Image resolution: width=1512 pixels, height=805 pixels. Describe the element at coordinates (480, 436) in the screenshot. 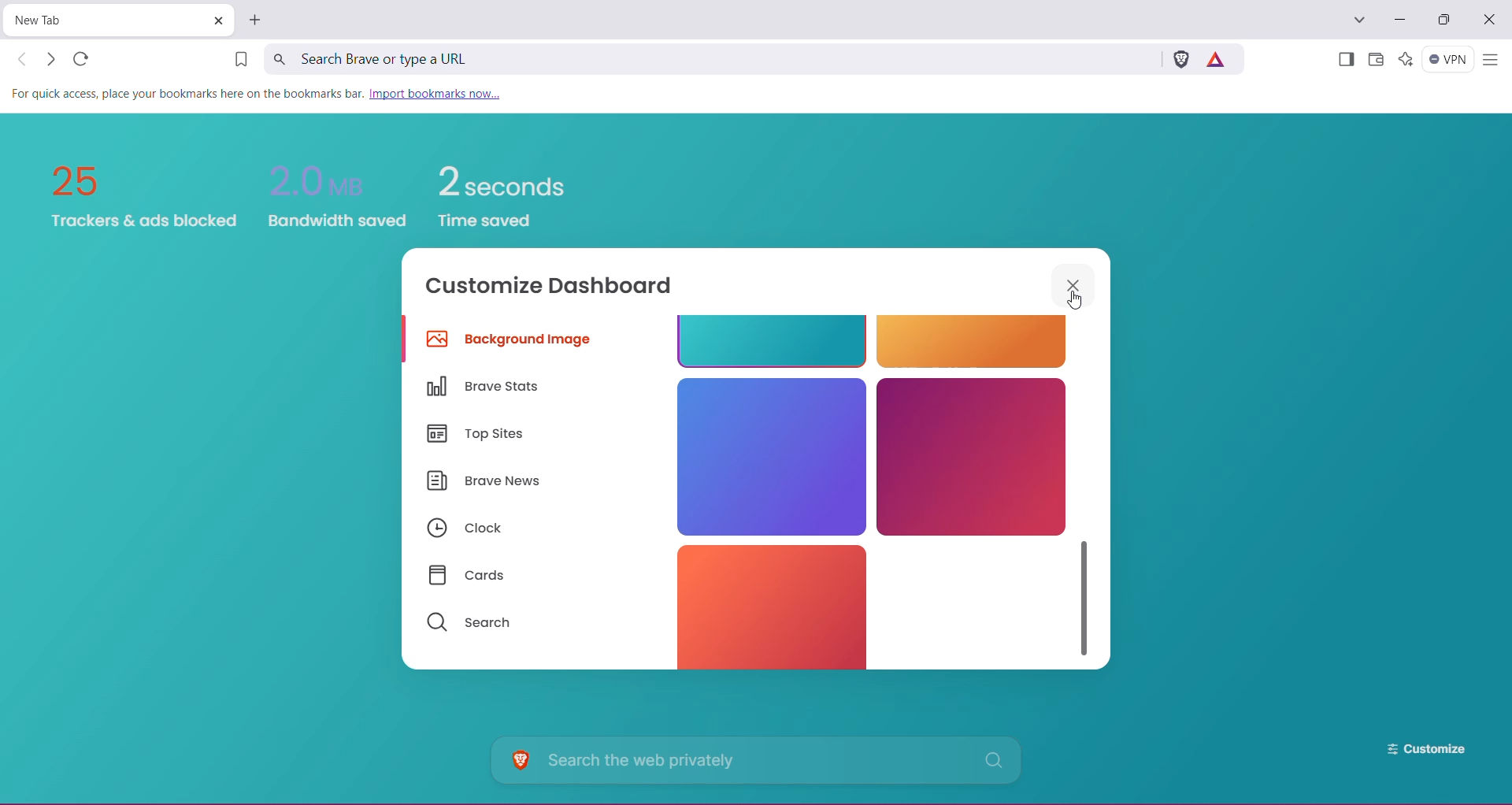

I see `Top Sites` at that location.